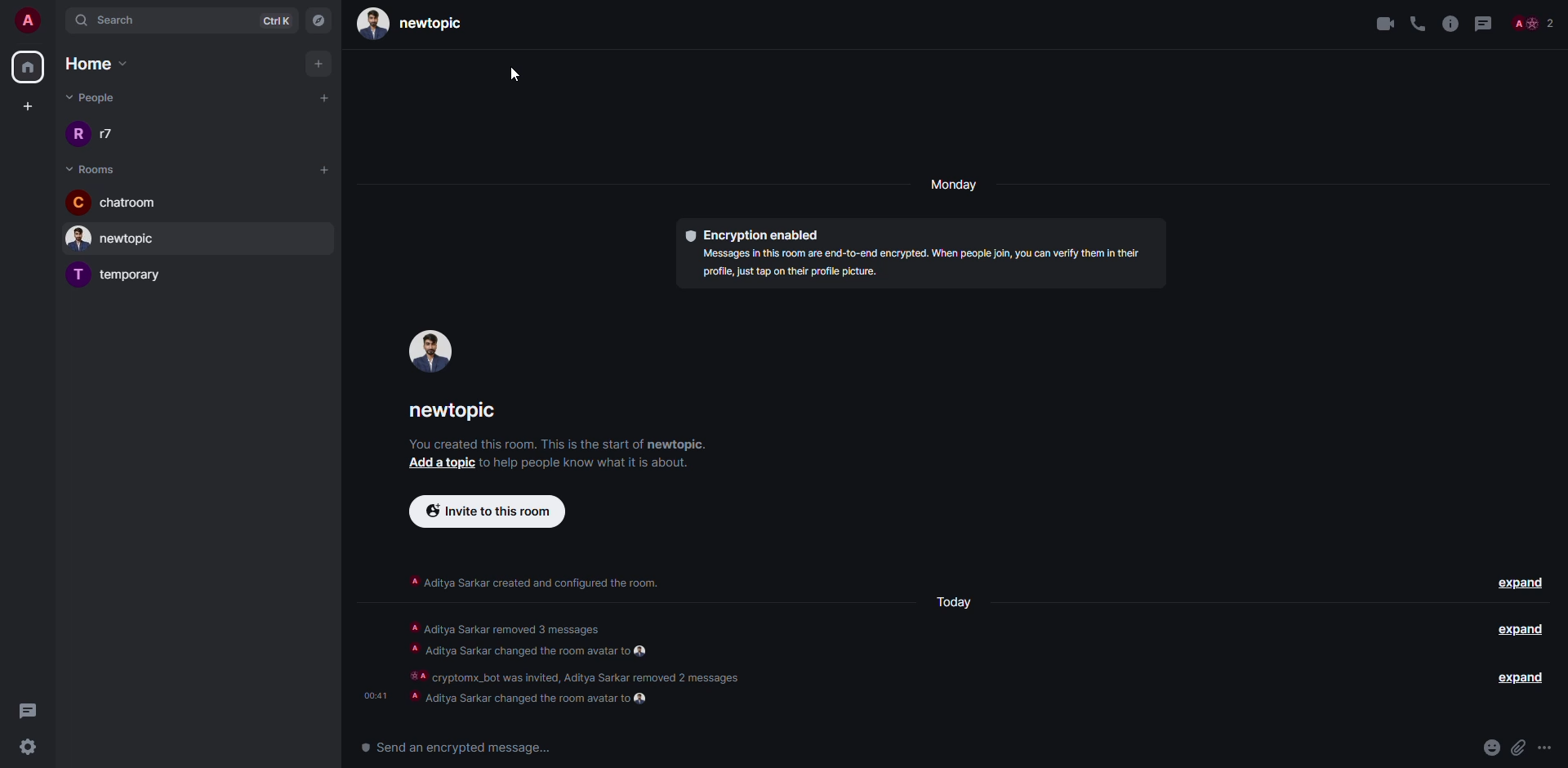 Image resolution: width=1568 pixels, height=768 pixels. I want to click on search, so click(120, 20).